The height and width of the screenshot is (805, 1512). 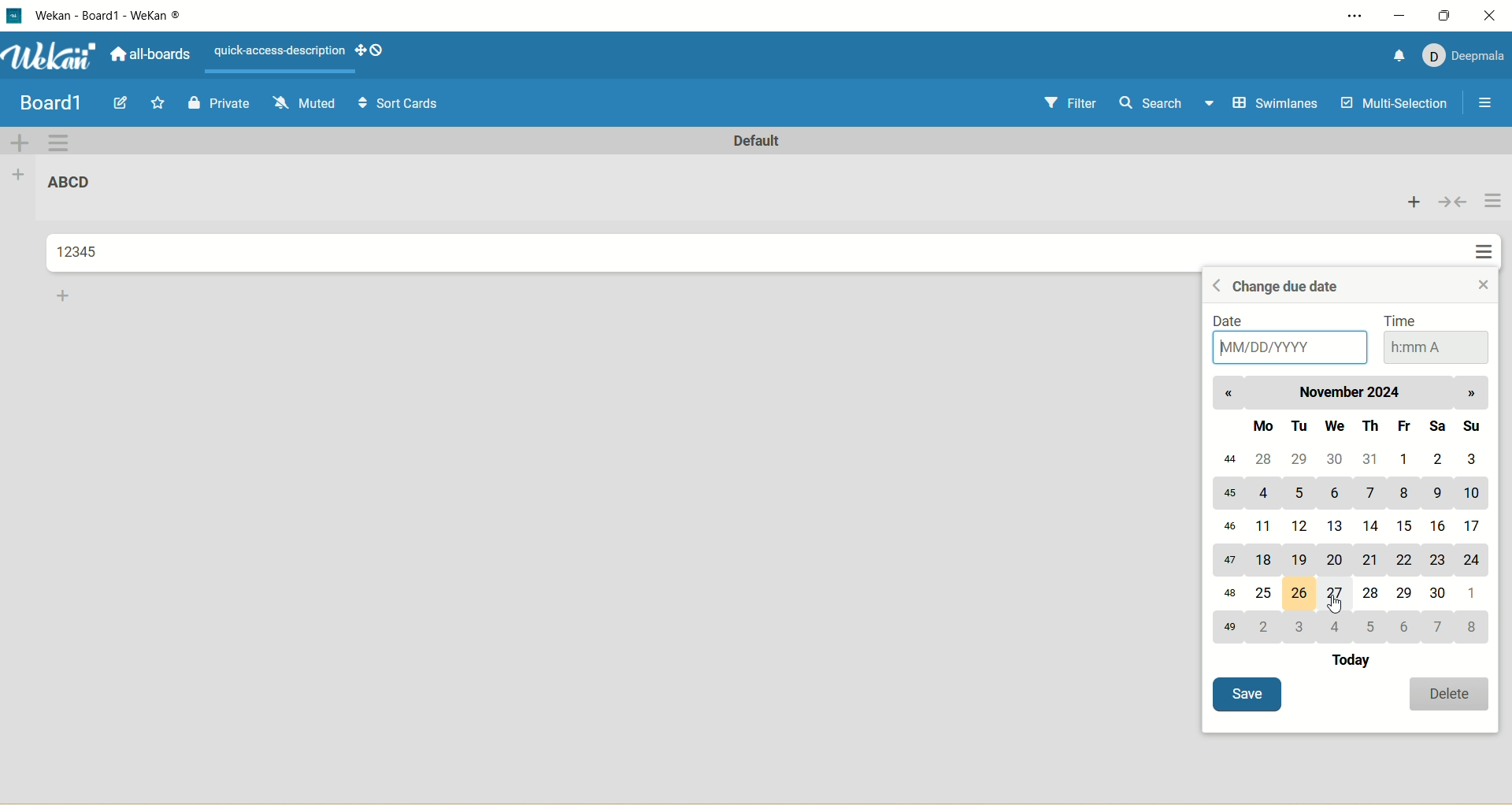 What do you see at coordinates (1351, 544) in the screenshot?
I see `calendar` at bounding box center [1351, 544].